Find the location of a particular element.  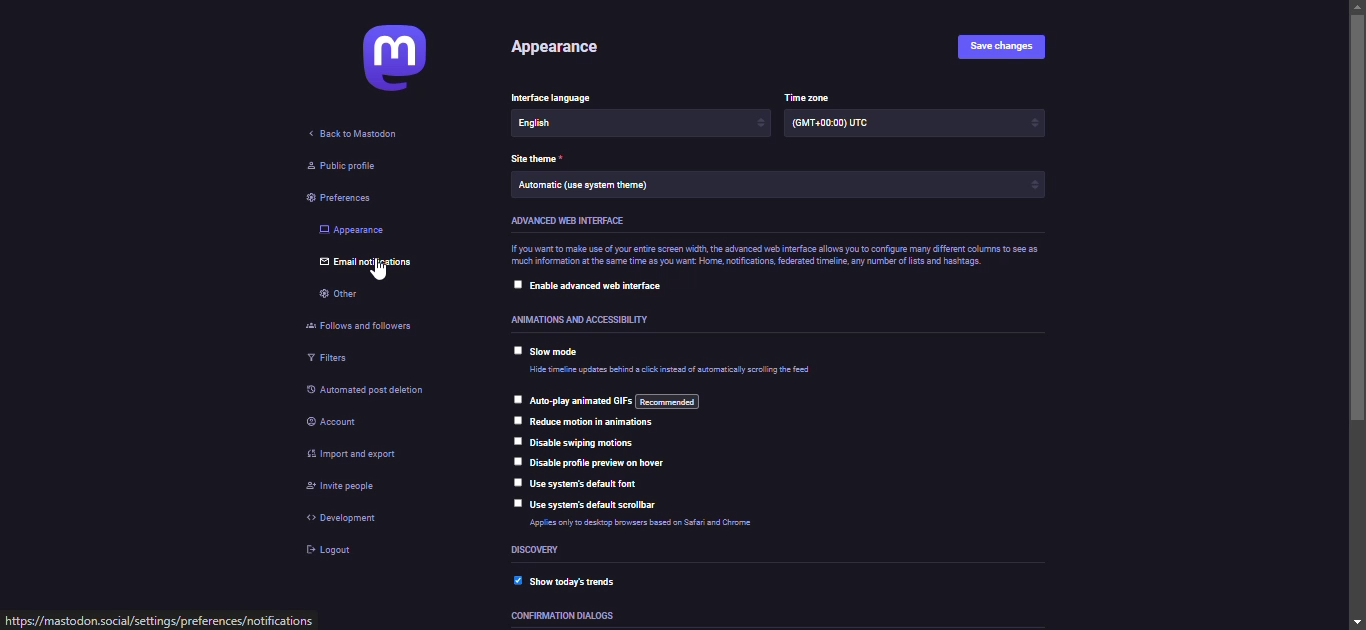

language is located at coordinates (575, 126).